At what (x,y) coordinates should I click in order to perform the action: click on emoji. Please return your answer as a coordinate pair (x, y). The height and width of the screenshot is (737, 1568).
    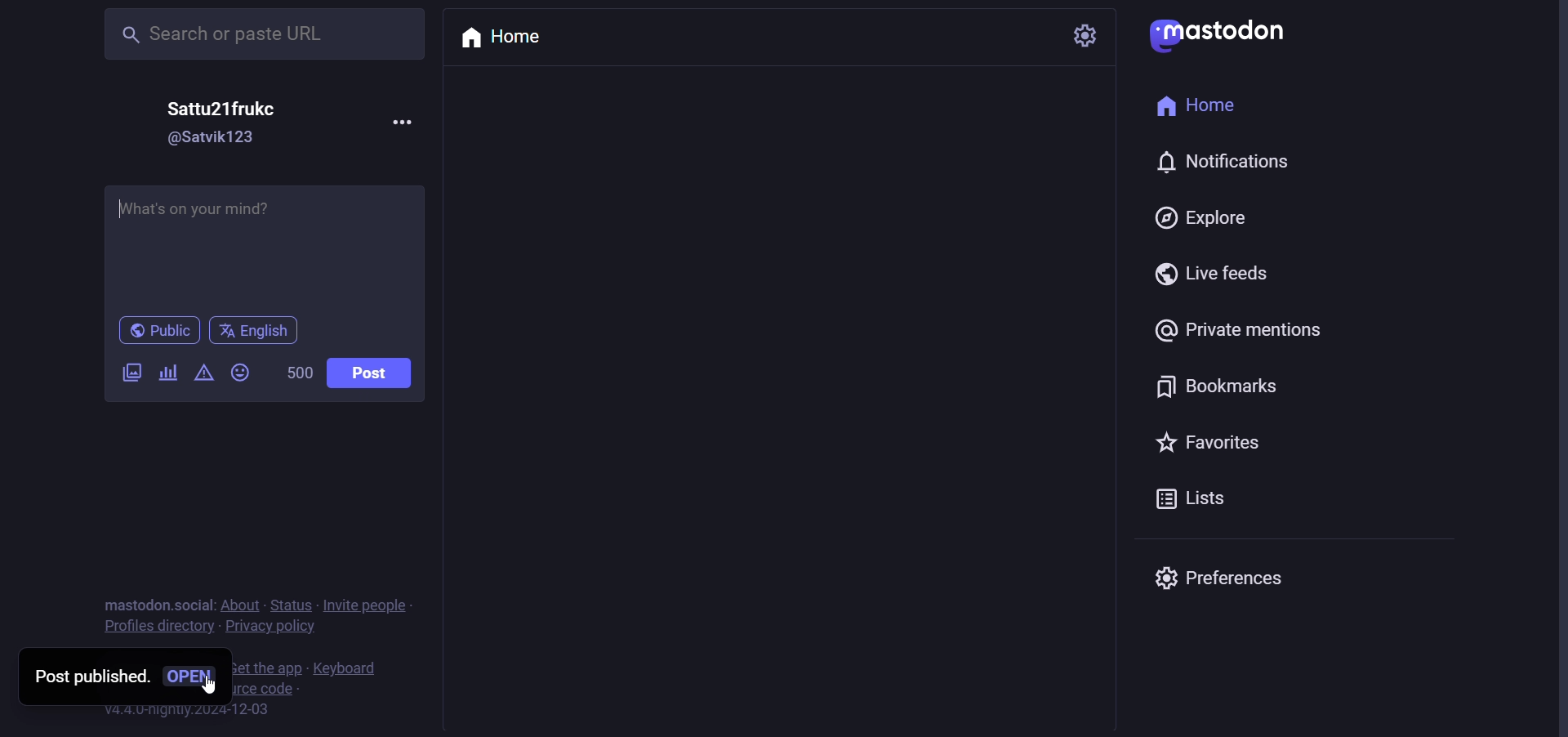
    Looking at the image, I should click on (240, 374).